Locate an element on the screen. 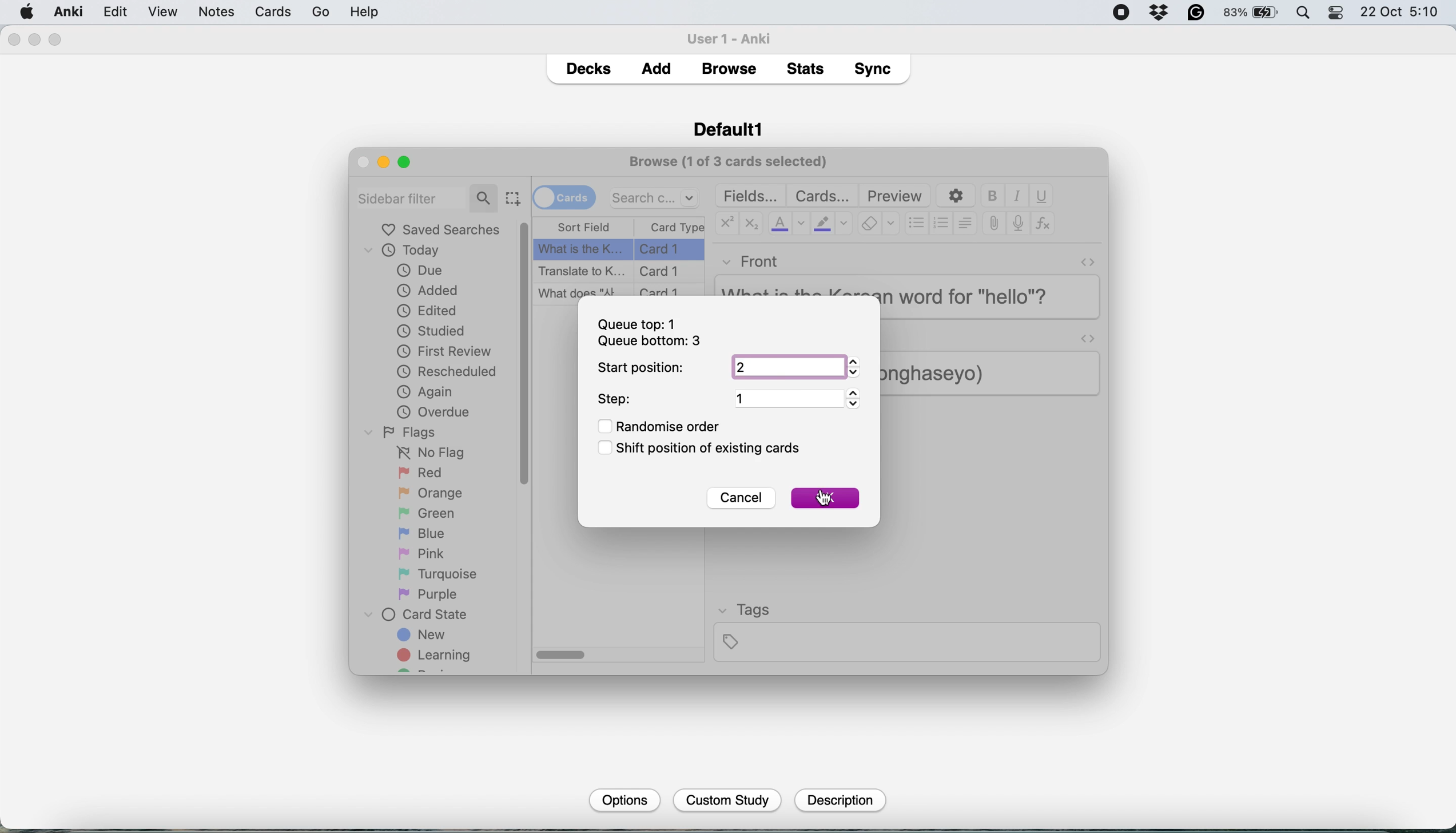 This screenshot has height=833, width=1456. due is located at coordinates (420, 270).